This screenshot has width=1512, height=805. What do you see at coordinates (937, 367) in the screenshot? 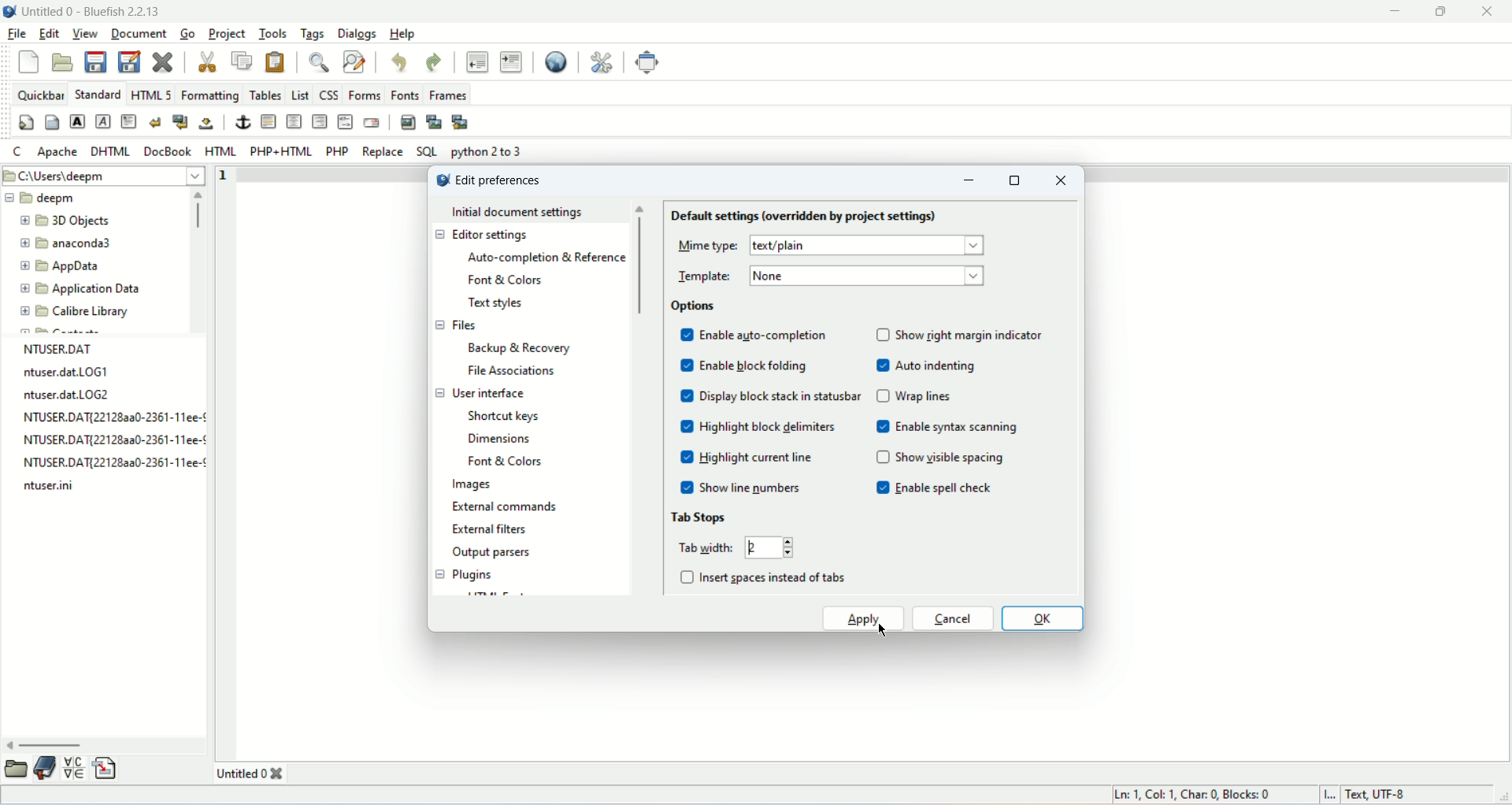
I see `auto indenting` at bounding box center [937, 367].